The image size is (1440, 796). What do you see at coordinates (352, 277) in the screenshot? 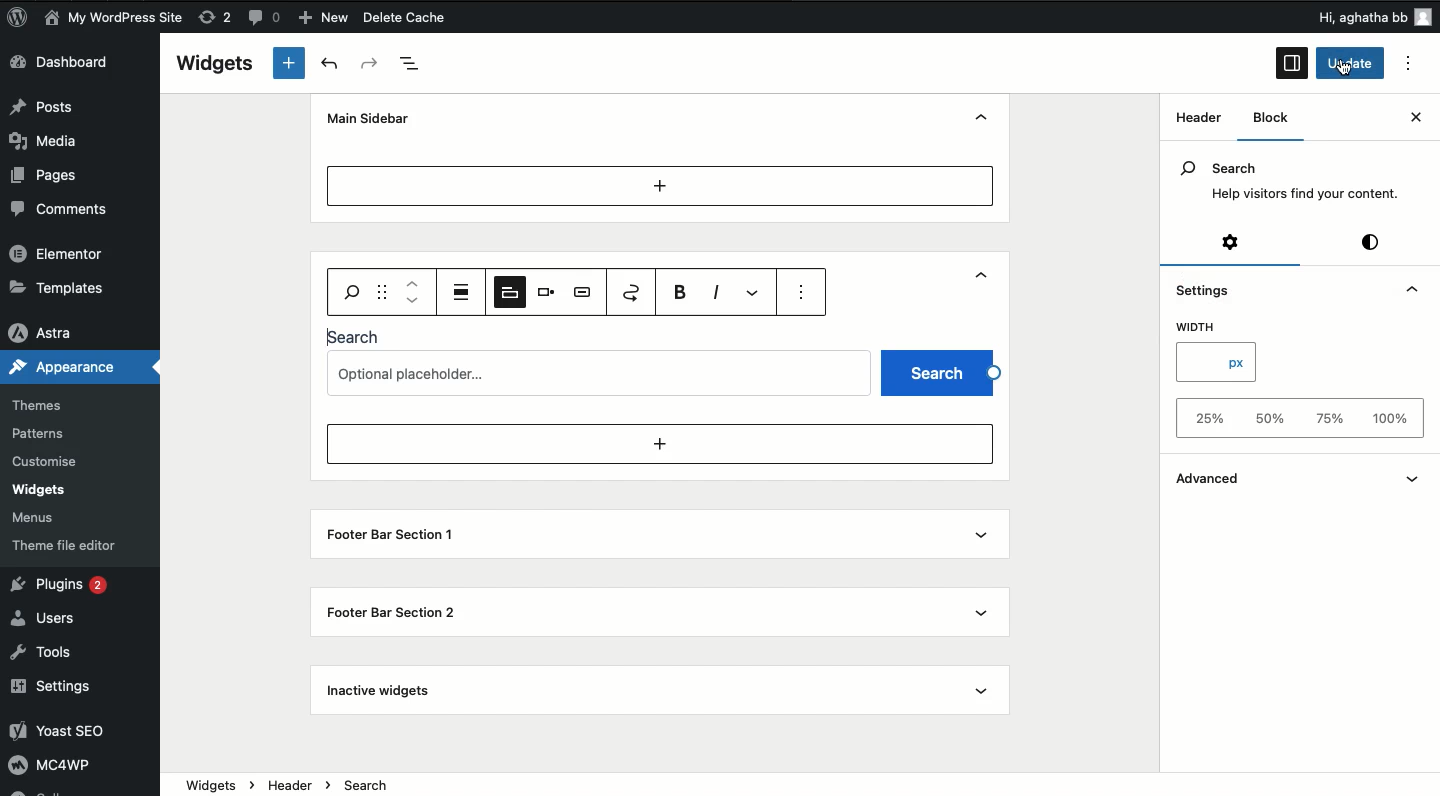
I see `Header` at bounding box center [352, 277].